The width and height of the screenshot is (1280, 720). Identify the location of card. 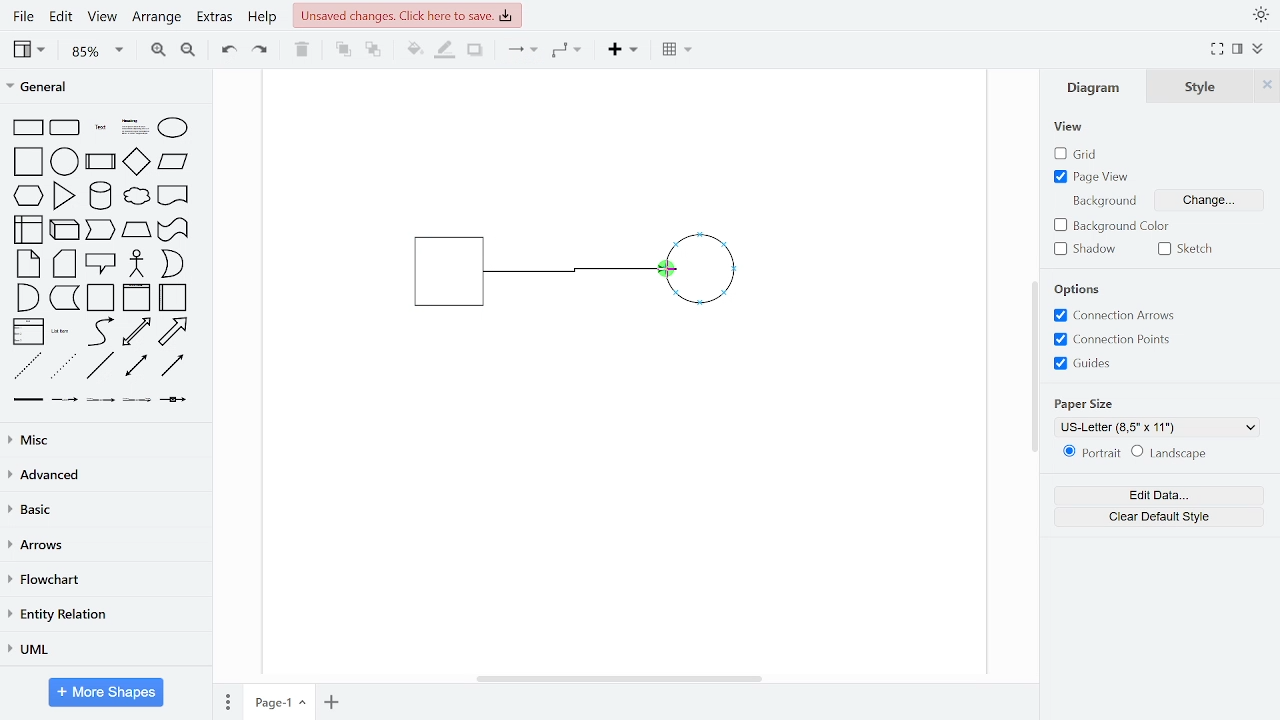
(66, 264).